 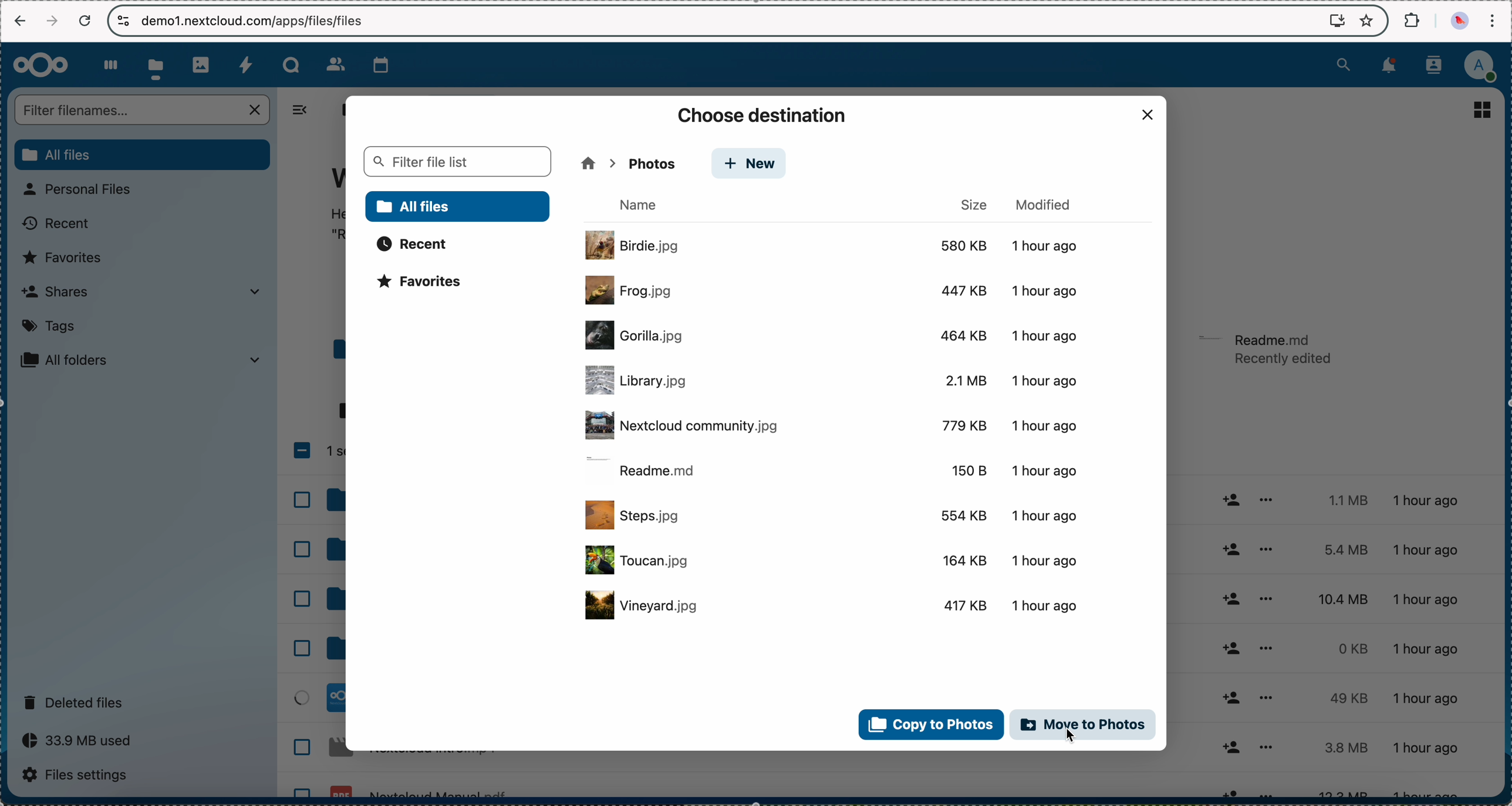 I want to click on navigate foward, so click(x=49, y=22).